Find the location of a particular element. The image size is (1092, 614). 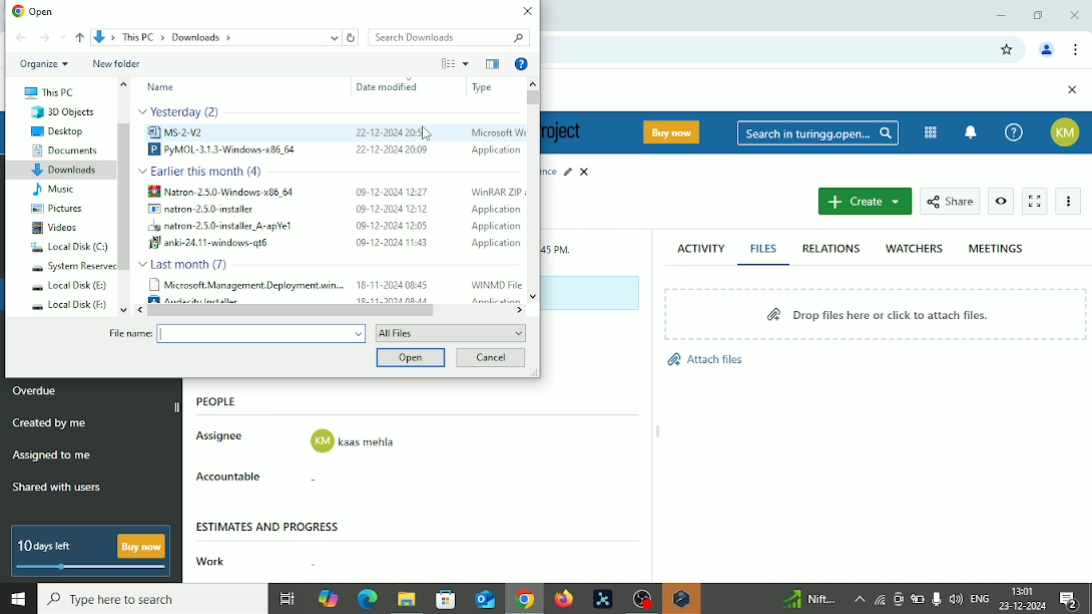

files modified Yesterday (2) is located at coordinates (181, 111).